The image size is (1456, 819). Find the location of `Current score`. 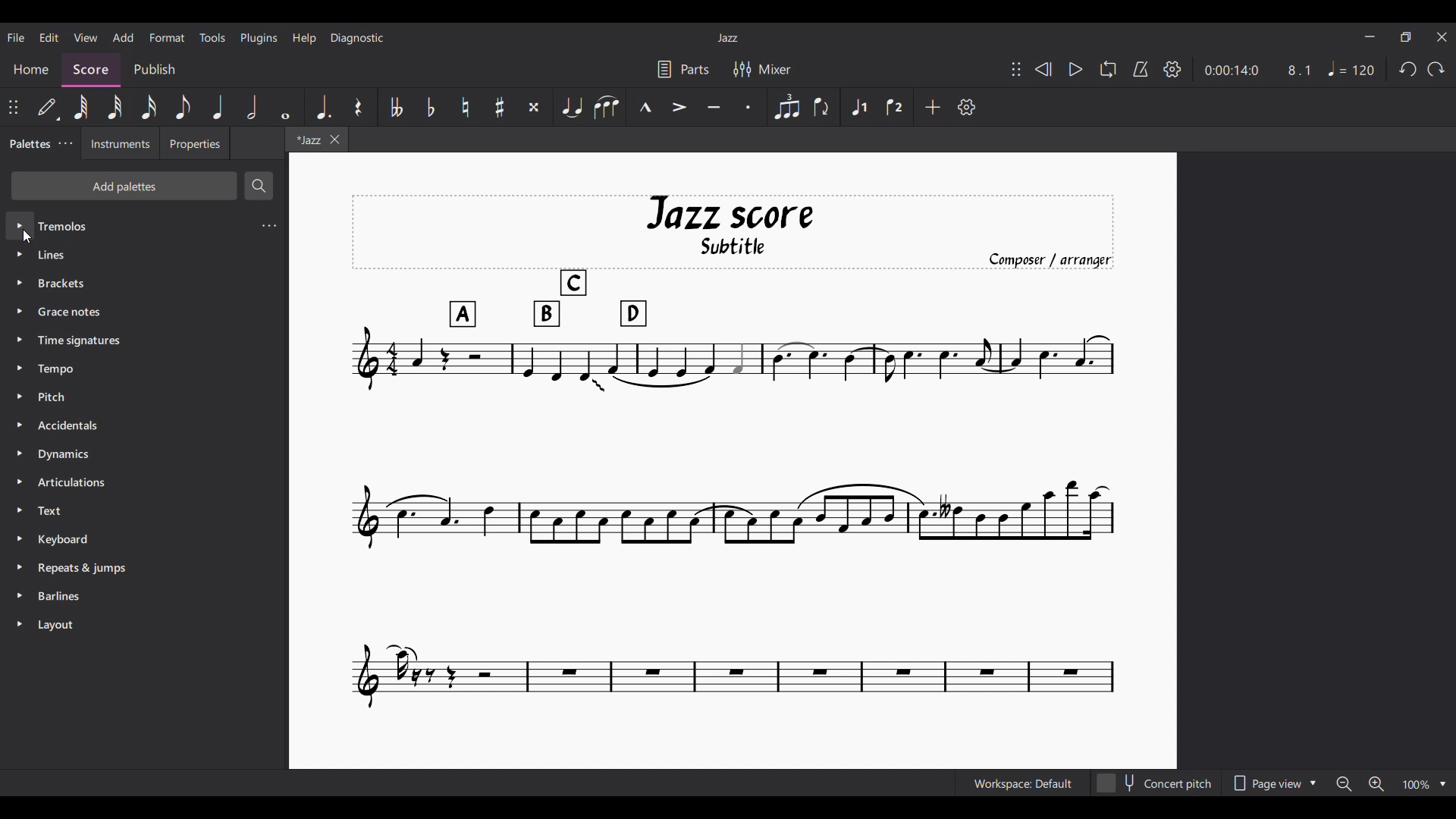

Current score is located at coordinates (733, 452).